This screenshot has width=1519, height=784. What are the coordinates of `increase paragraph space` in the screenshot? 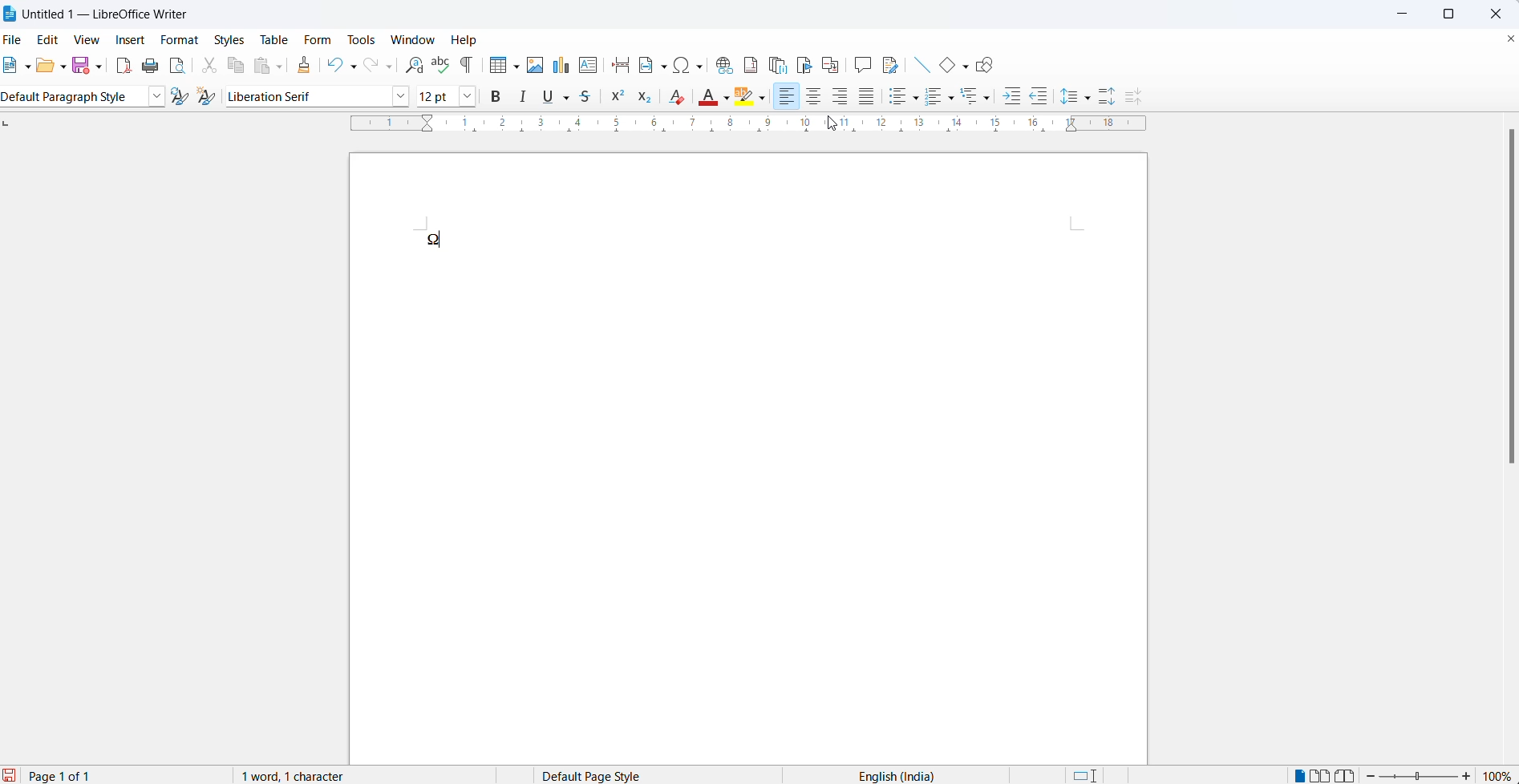 It's located at (1115, 93).